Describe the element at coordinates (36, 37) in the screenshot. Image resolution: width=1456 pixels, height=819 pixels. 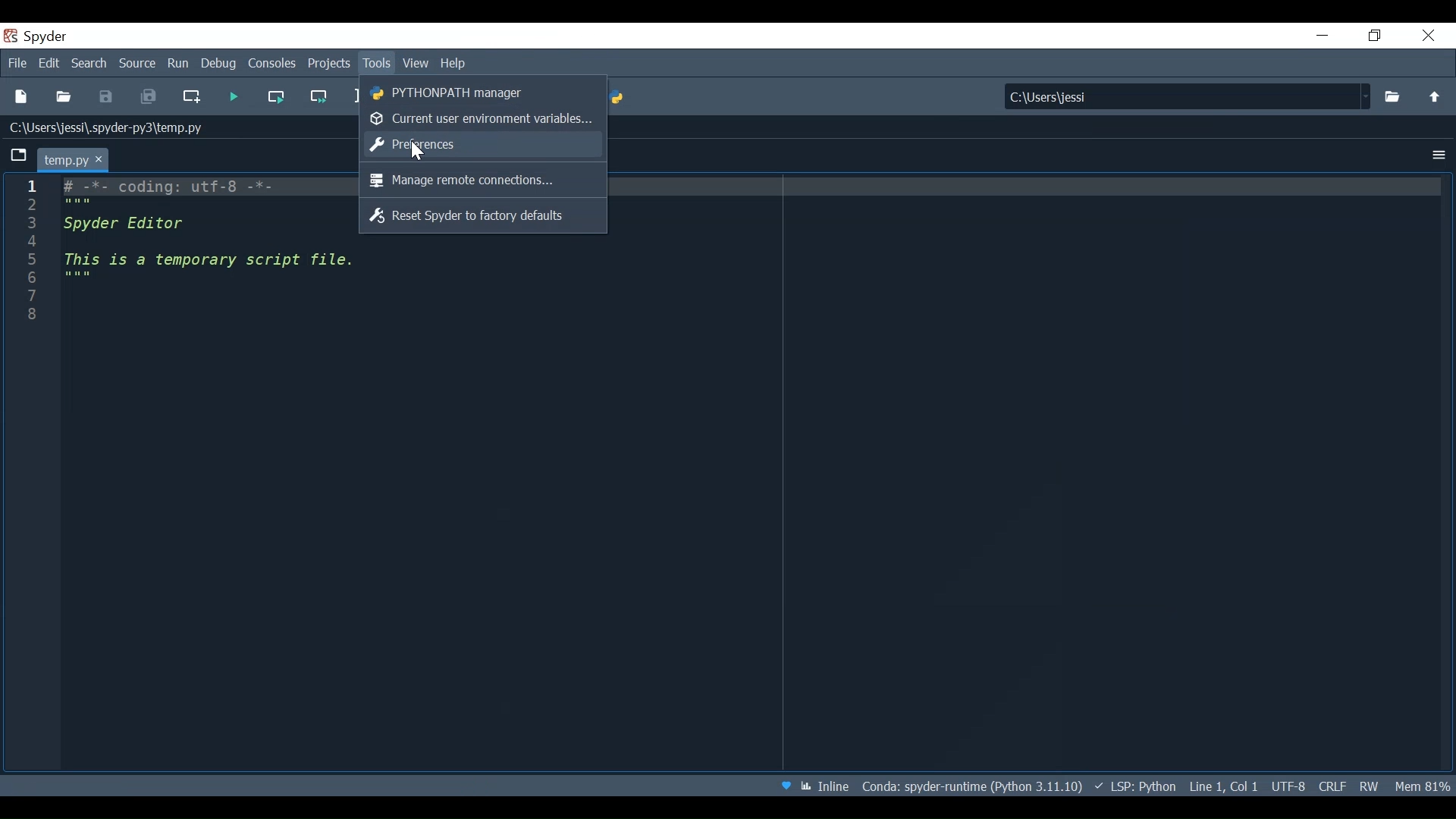
I see `Spyder Desktop Icon` at that location.